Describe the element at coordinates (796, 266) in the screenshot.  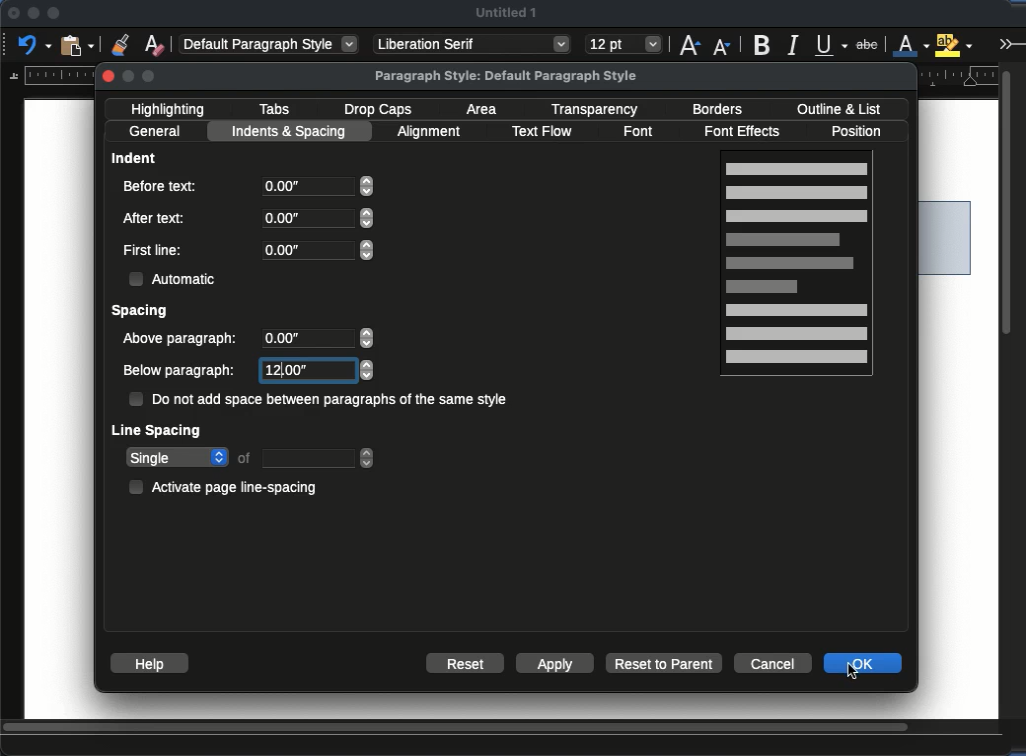
I see `preview` at that location.